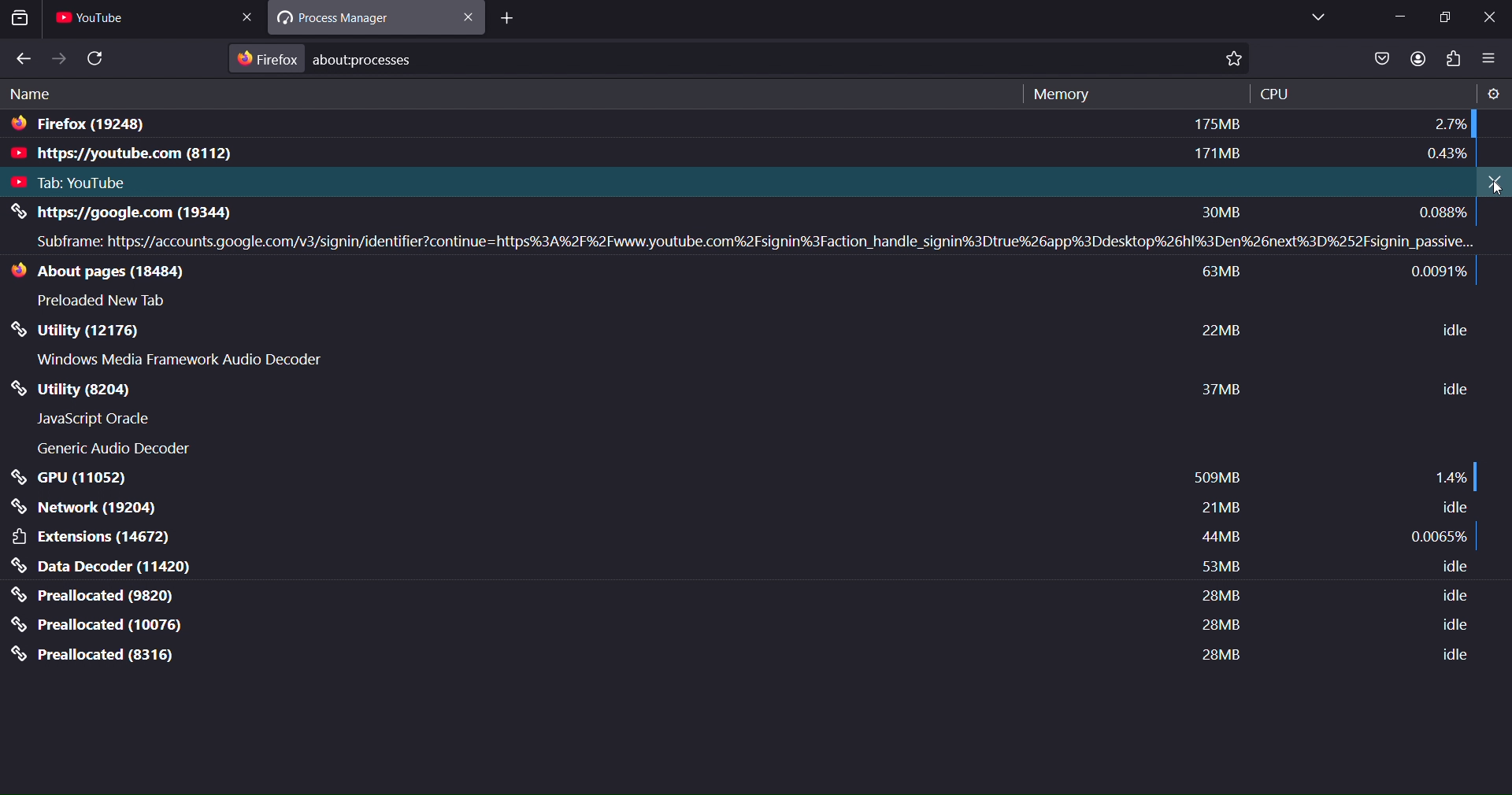 This screenshot has height=795, width=1512. I want to click on Network, so click(87, 508).